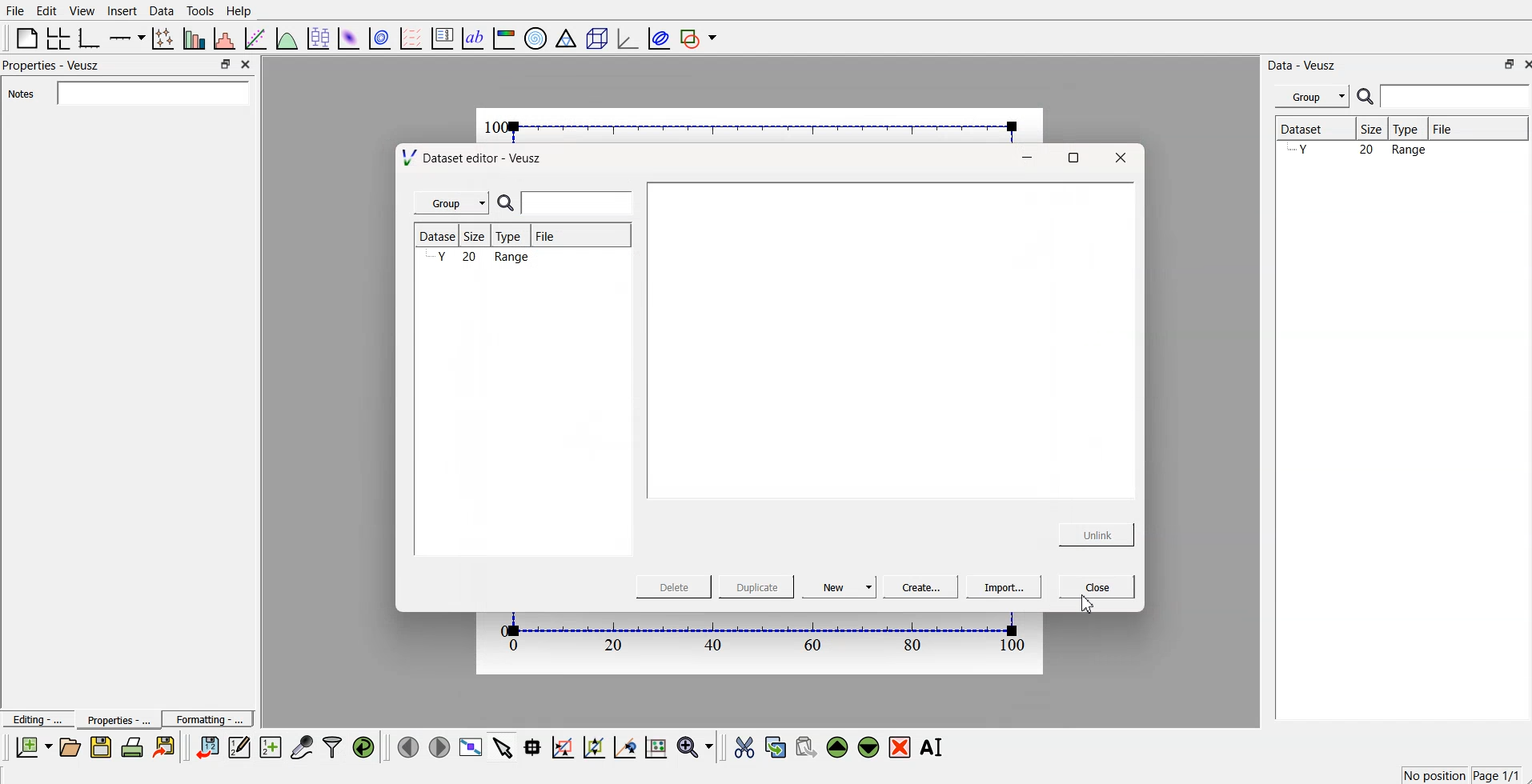 The height and width of the screenshot is (784, 1532). Describe the element at coordinates (120, 11) in the screenshot. I see `Insert` at that location.